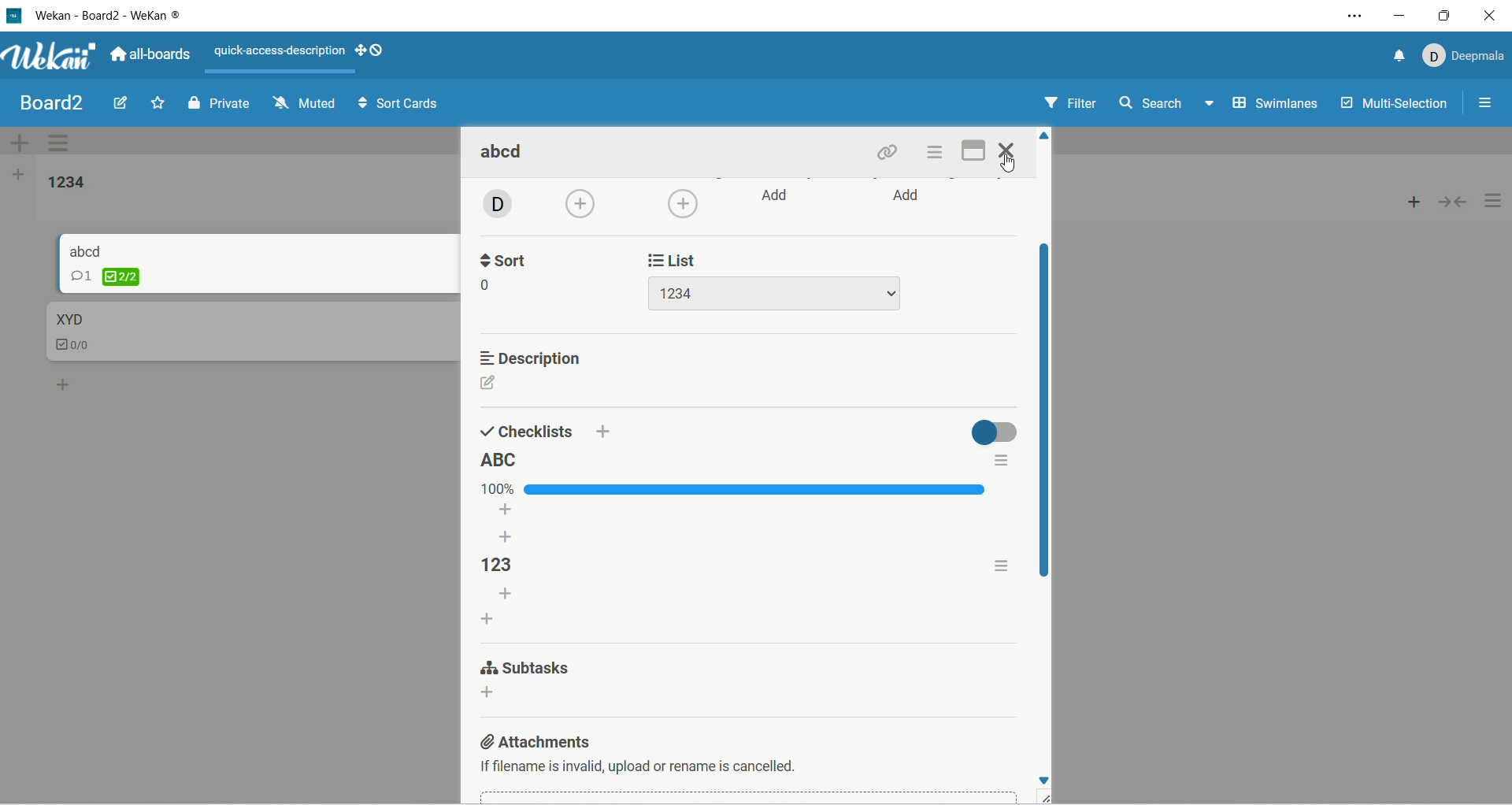  Describe the element at coordinates (495, 206) in the screenshot. I see `avatar` at that location.